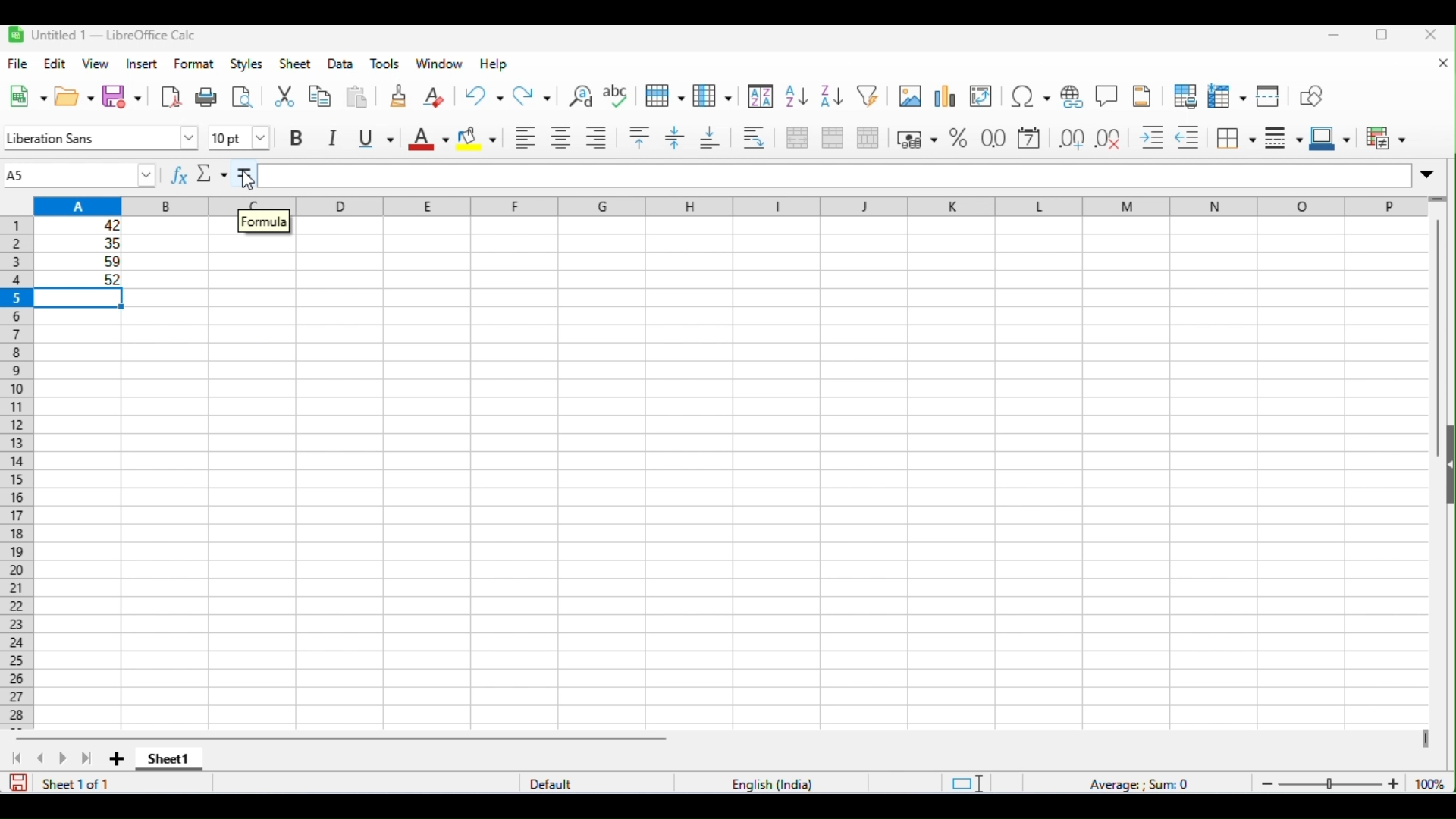  I want to click on window, so click(440, 65).